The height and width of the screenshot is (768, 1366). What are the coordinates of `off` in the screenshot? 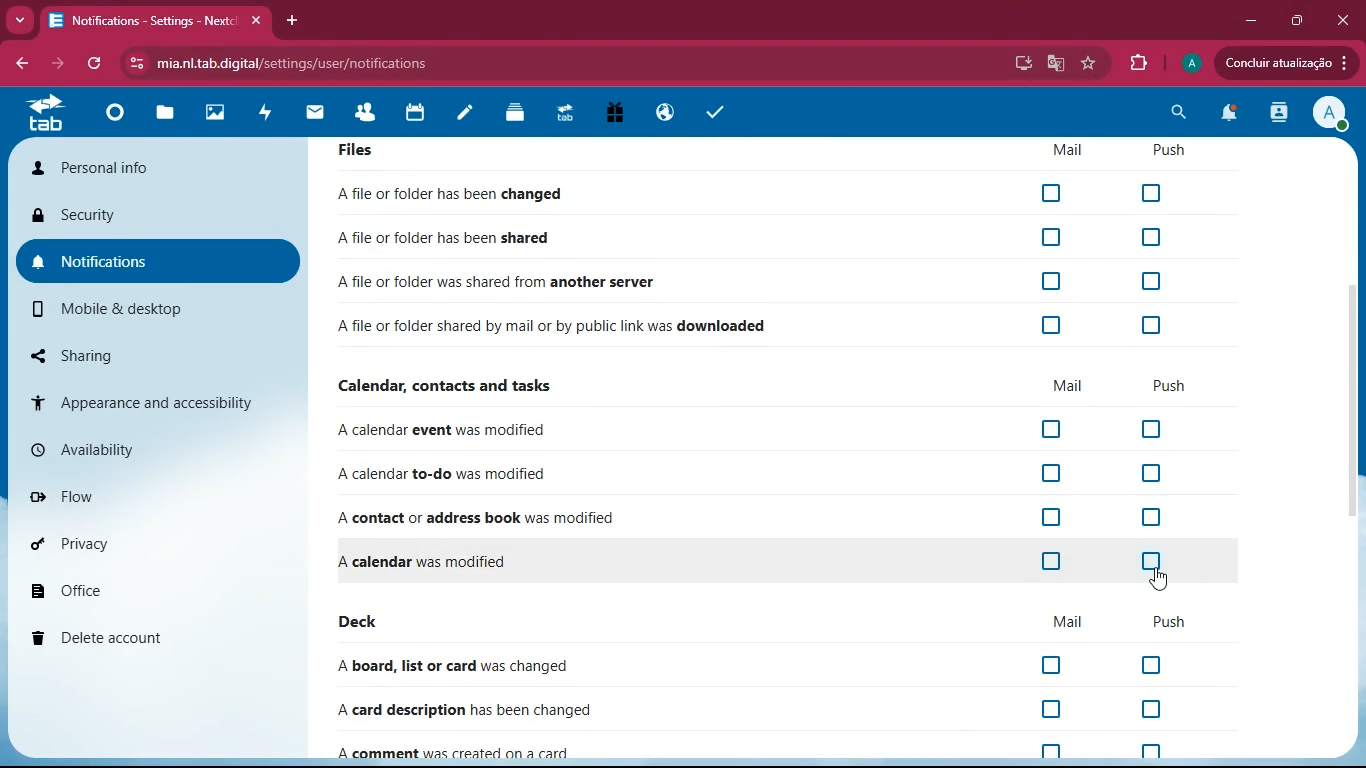 It's located at (1048, 748).